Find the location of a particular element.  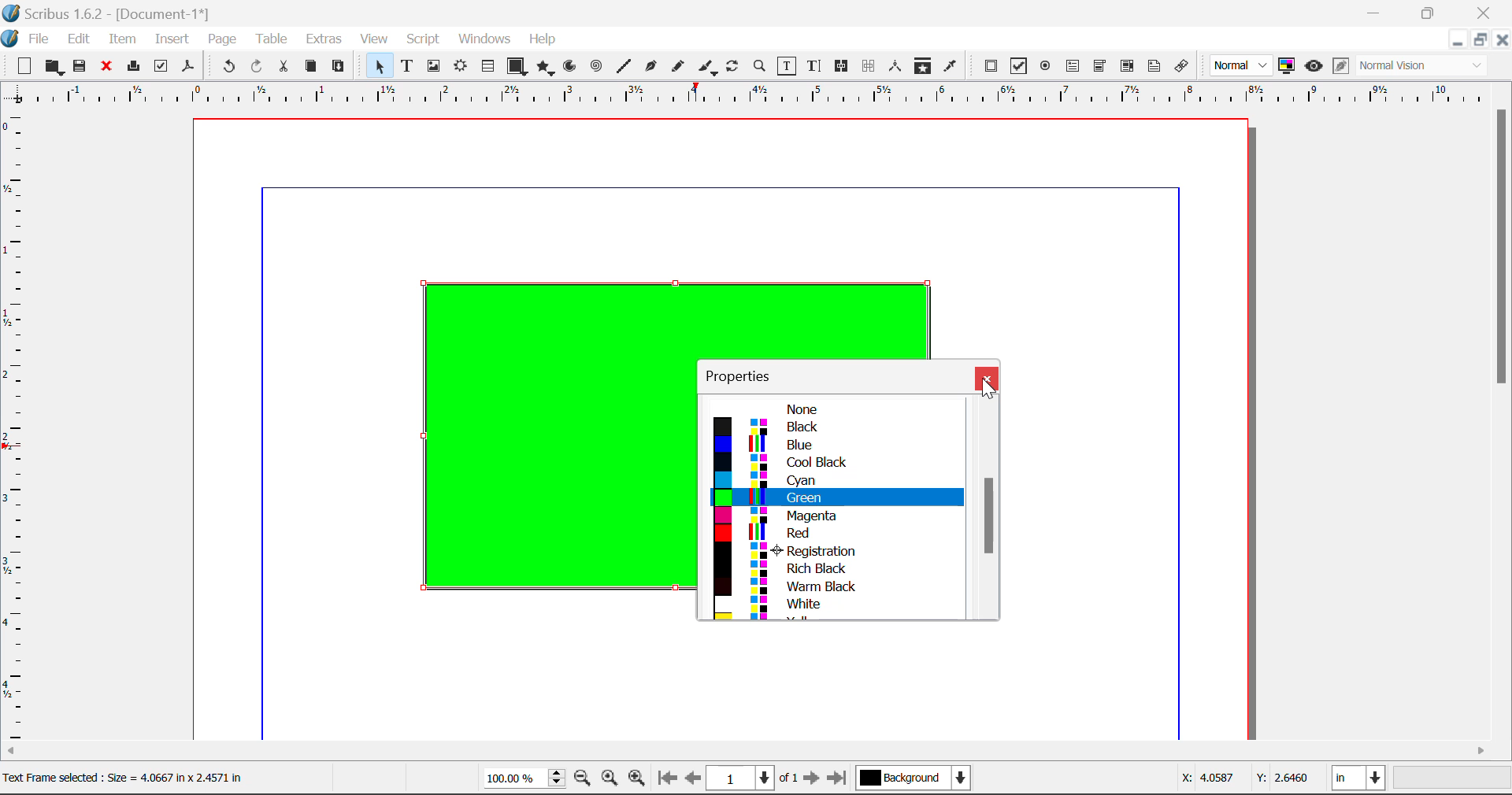

Restore Down is located at coordinates (1457, 39).